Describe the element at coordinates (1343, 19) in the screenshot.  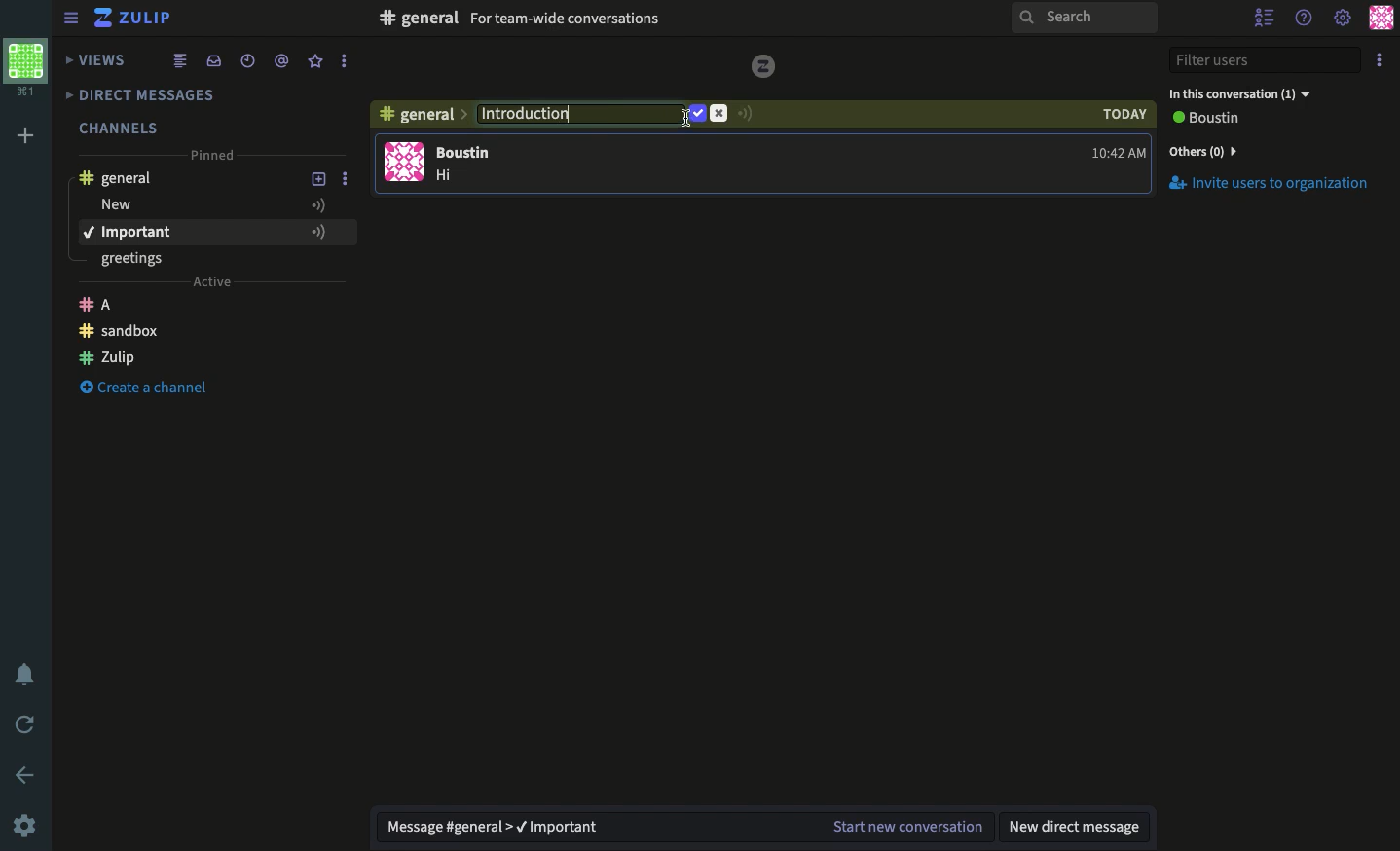
I see `Settings` at that location.